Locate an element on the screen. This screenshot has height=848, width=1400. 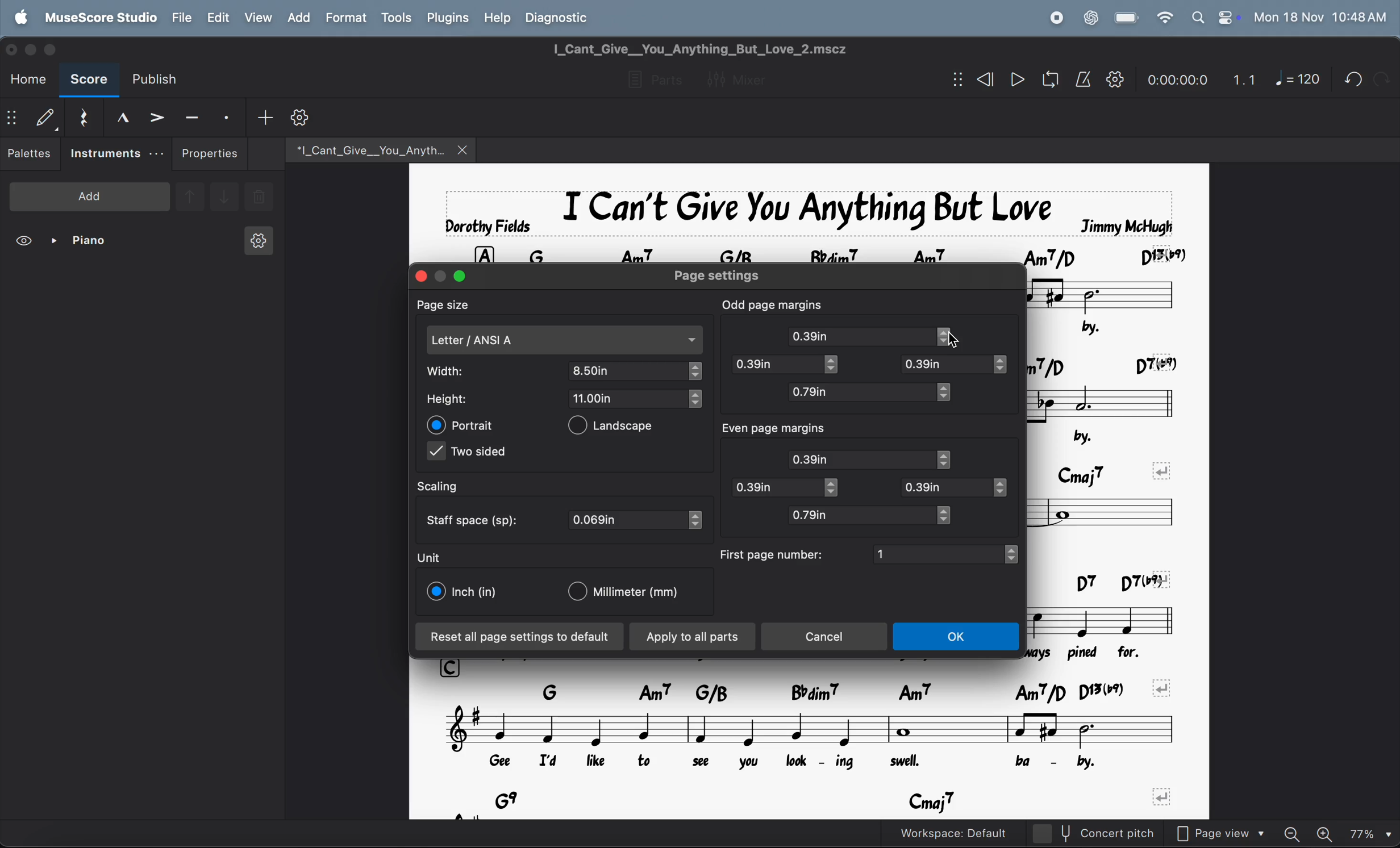
toogle is located at coordinates (838, 366).